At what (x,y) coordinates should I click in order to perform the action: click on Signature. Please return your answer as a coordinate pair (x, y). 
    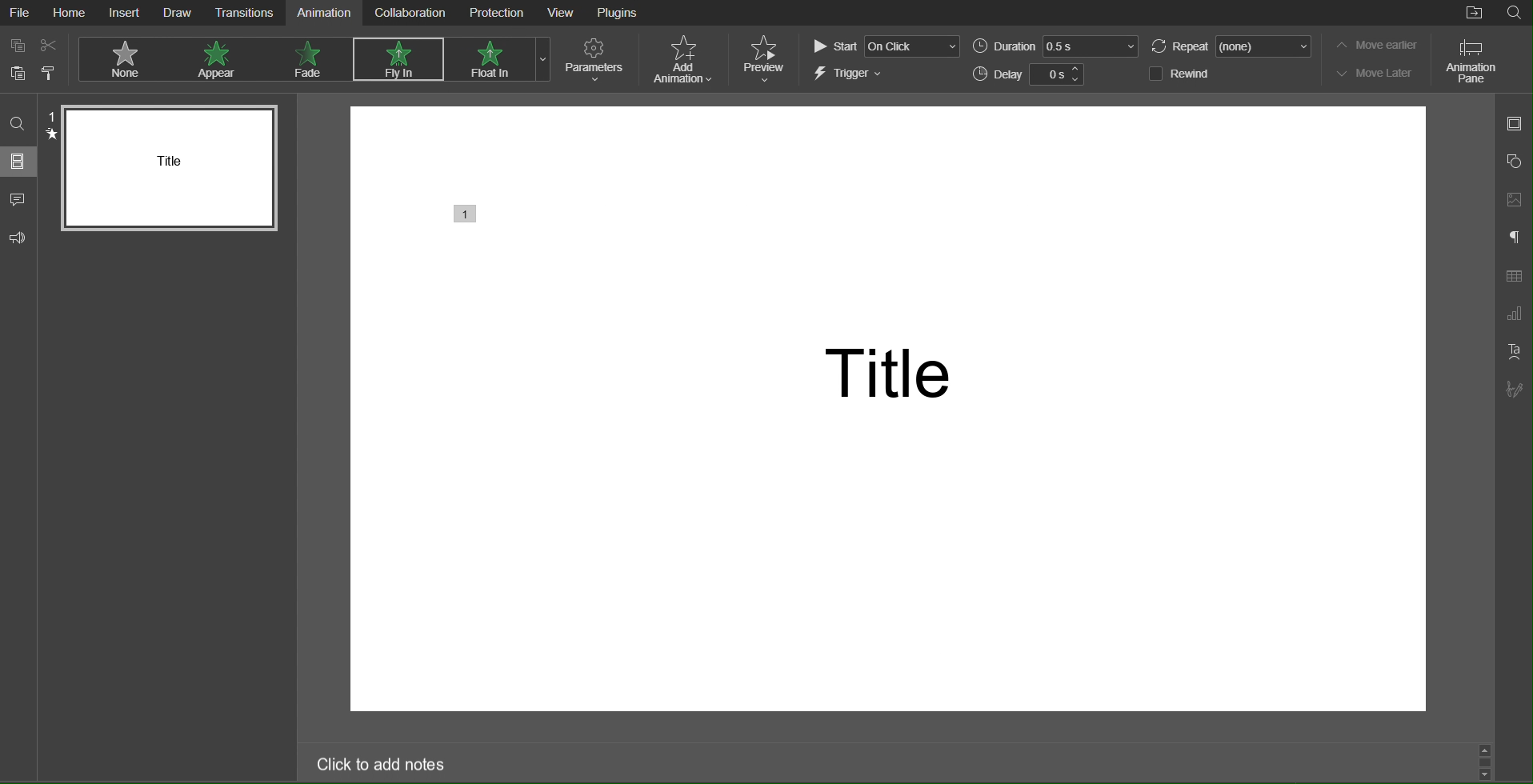
    Looking at the image, I should click on (1514, 389).